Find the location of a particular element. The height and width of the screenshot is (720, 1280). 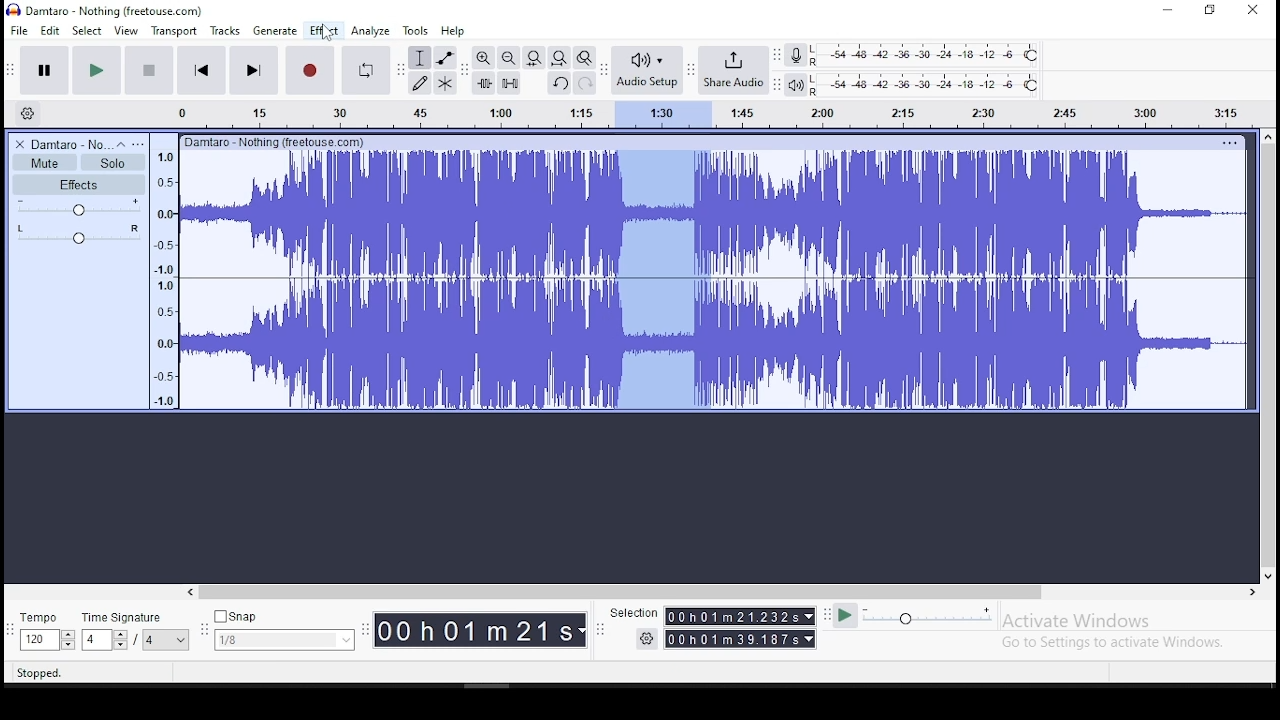

 is located at coordinates (604, 70).